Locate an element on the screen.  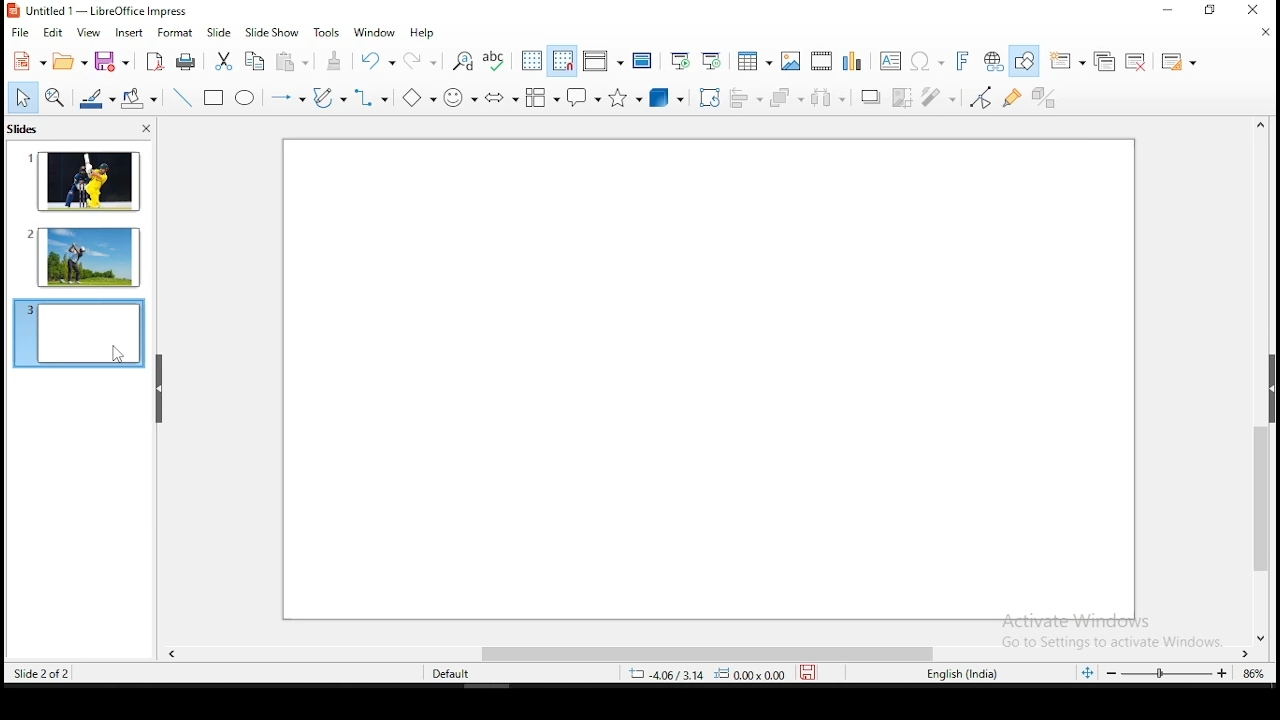
3D shapes is located at coordinates (667, 99).